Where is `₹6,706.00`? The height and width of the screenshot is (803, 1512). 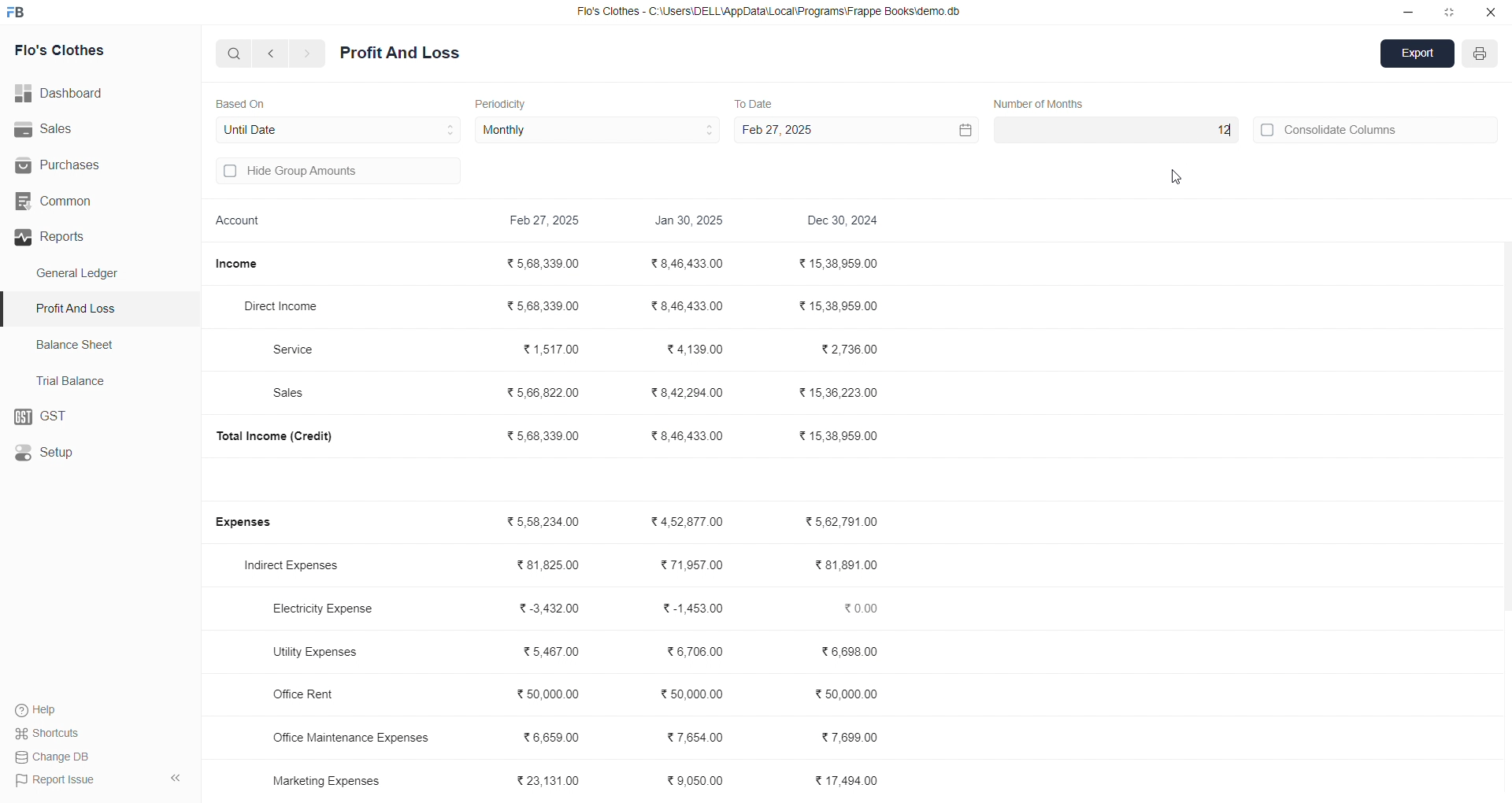
₹6,706.00 is located at coordinates (695, 653).